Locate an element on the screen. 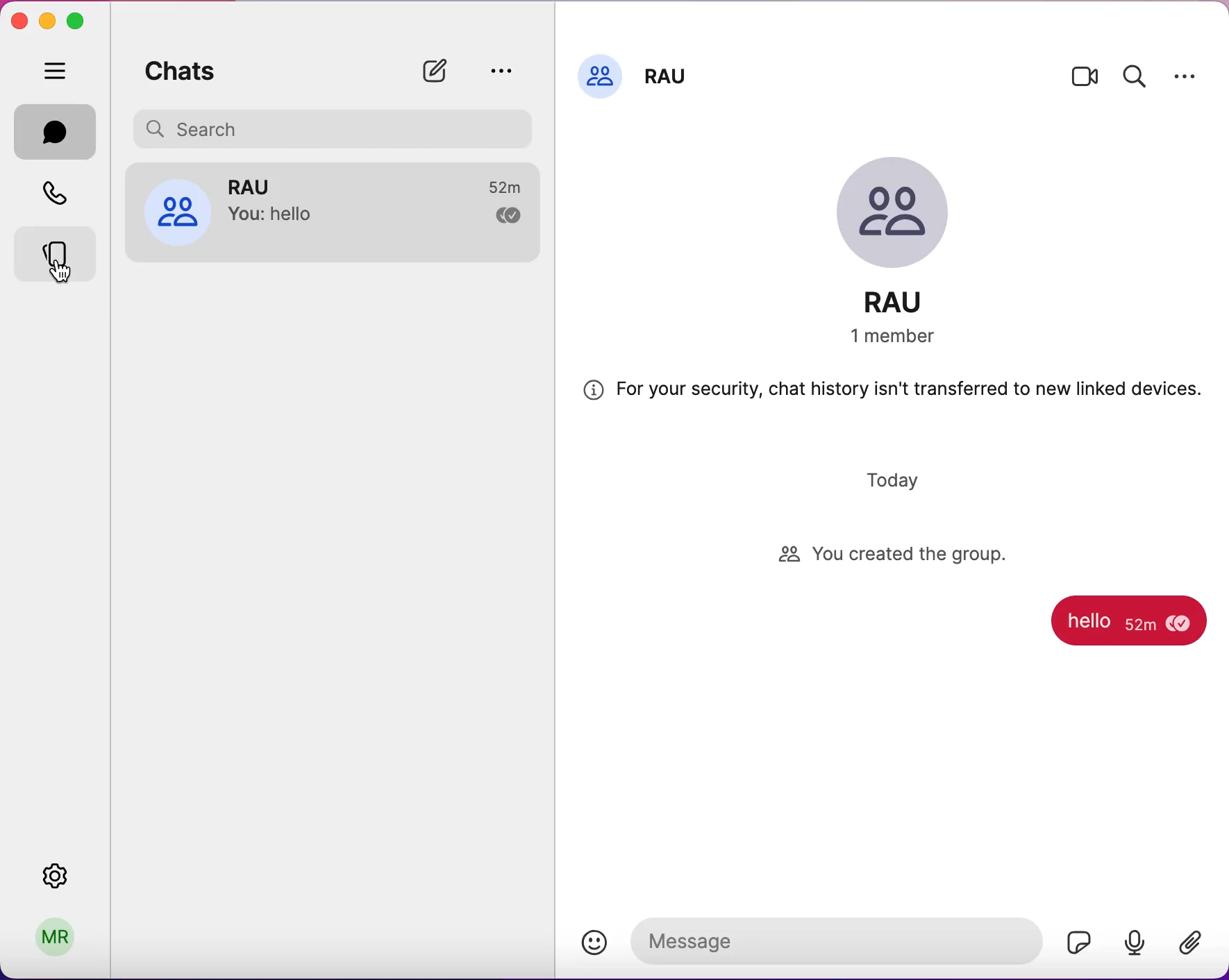 This screenshot has width=1229, height=980. profile picture is located at coordinates (169, 214).